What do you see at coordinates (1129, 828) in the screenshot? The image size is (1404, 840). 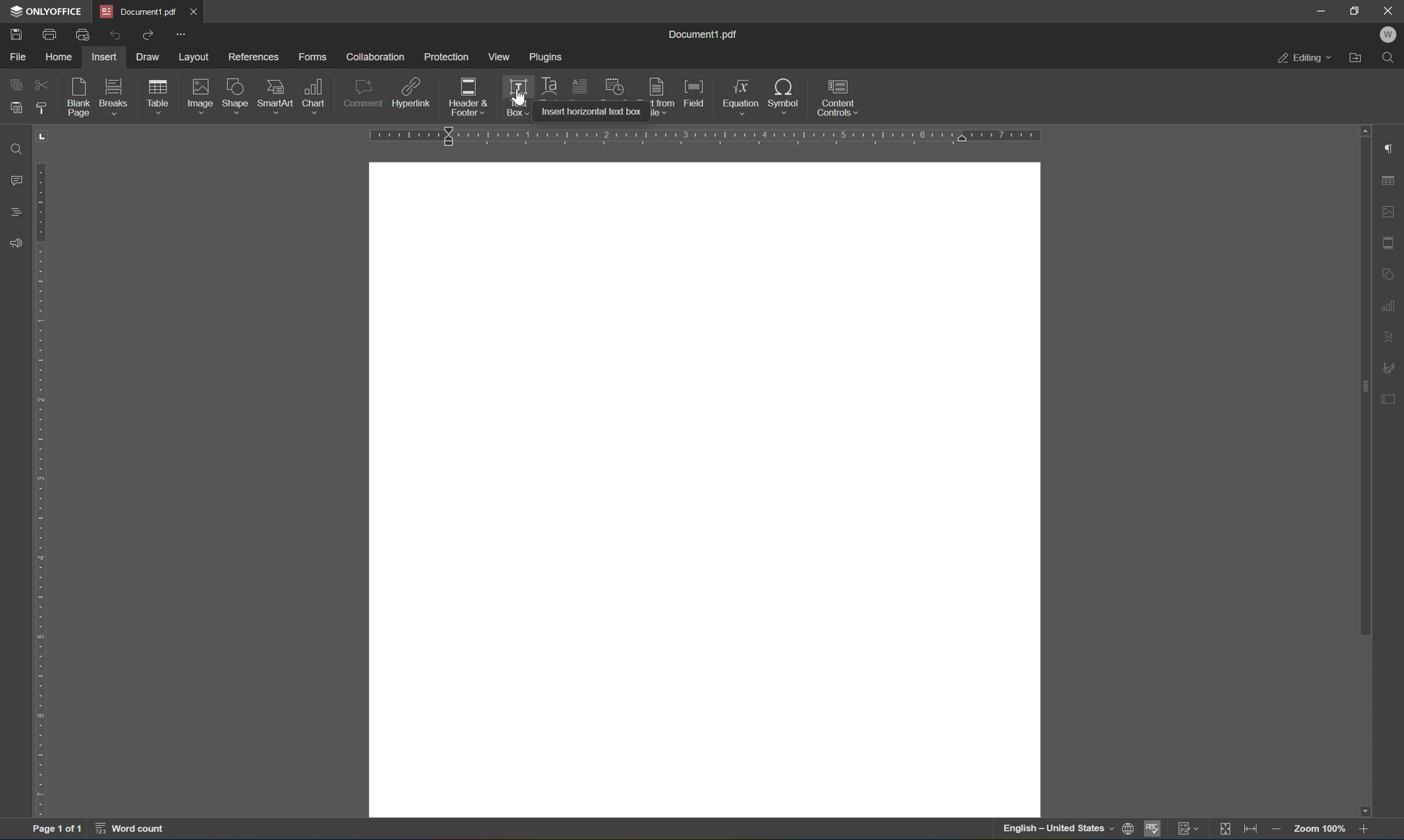 I see `set document language` at bounding box center [1129, 828].